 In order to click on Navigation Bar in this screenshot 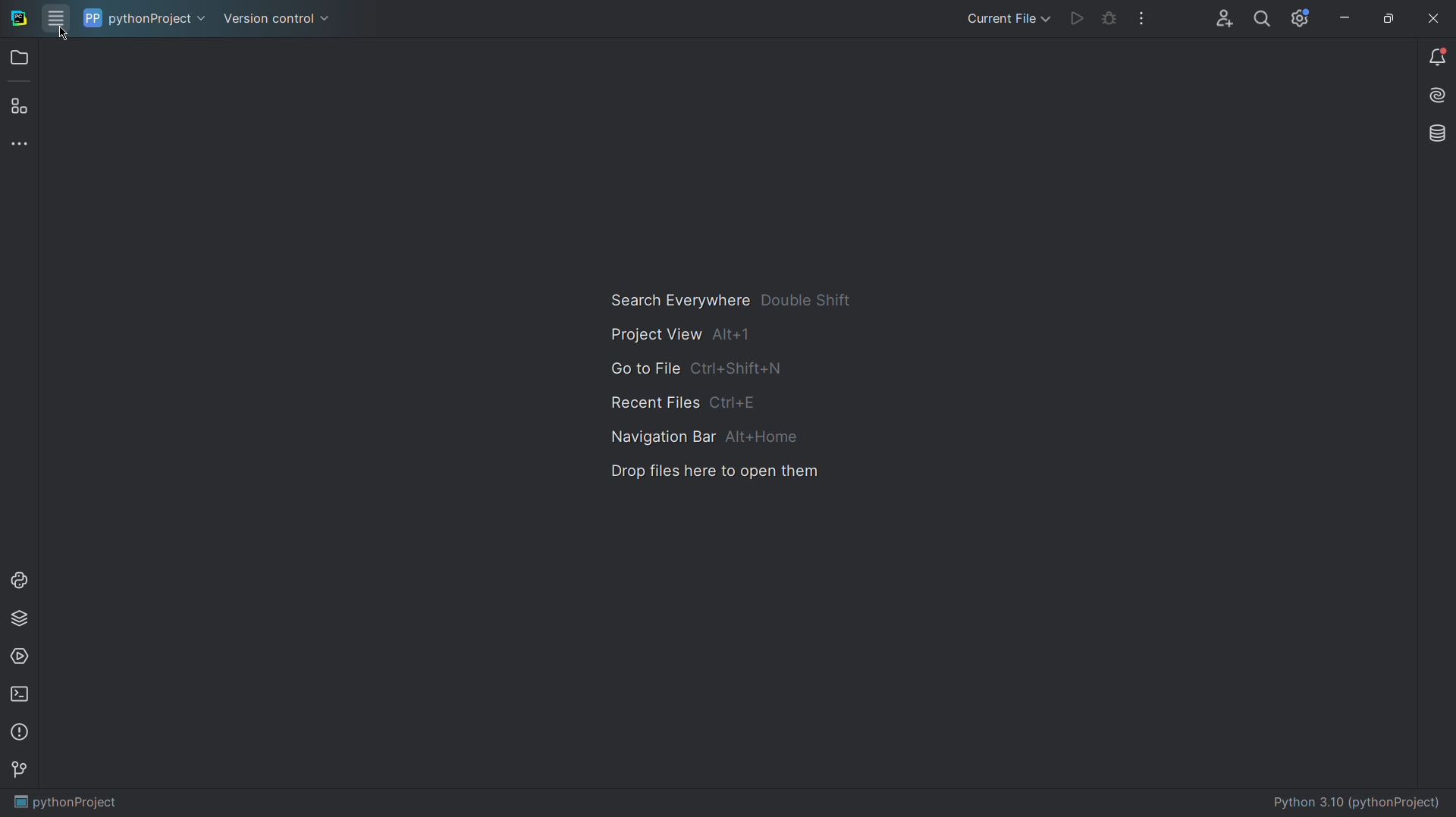, I will do `click(696, 436)`.